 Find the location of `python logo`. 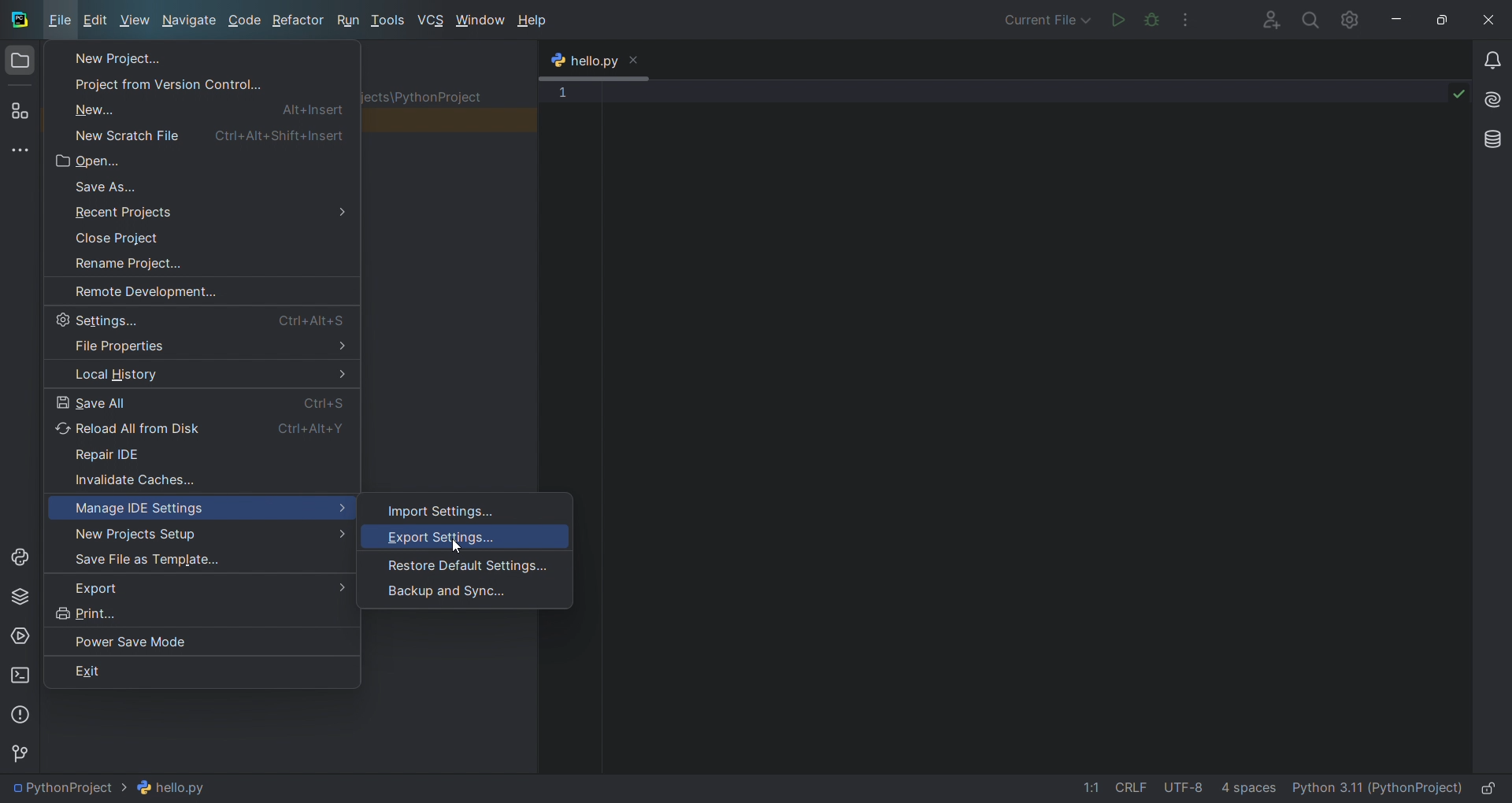

python logo is located at coordinates (557, 62).